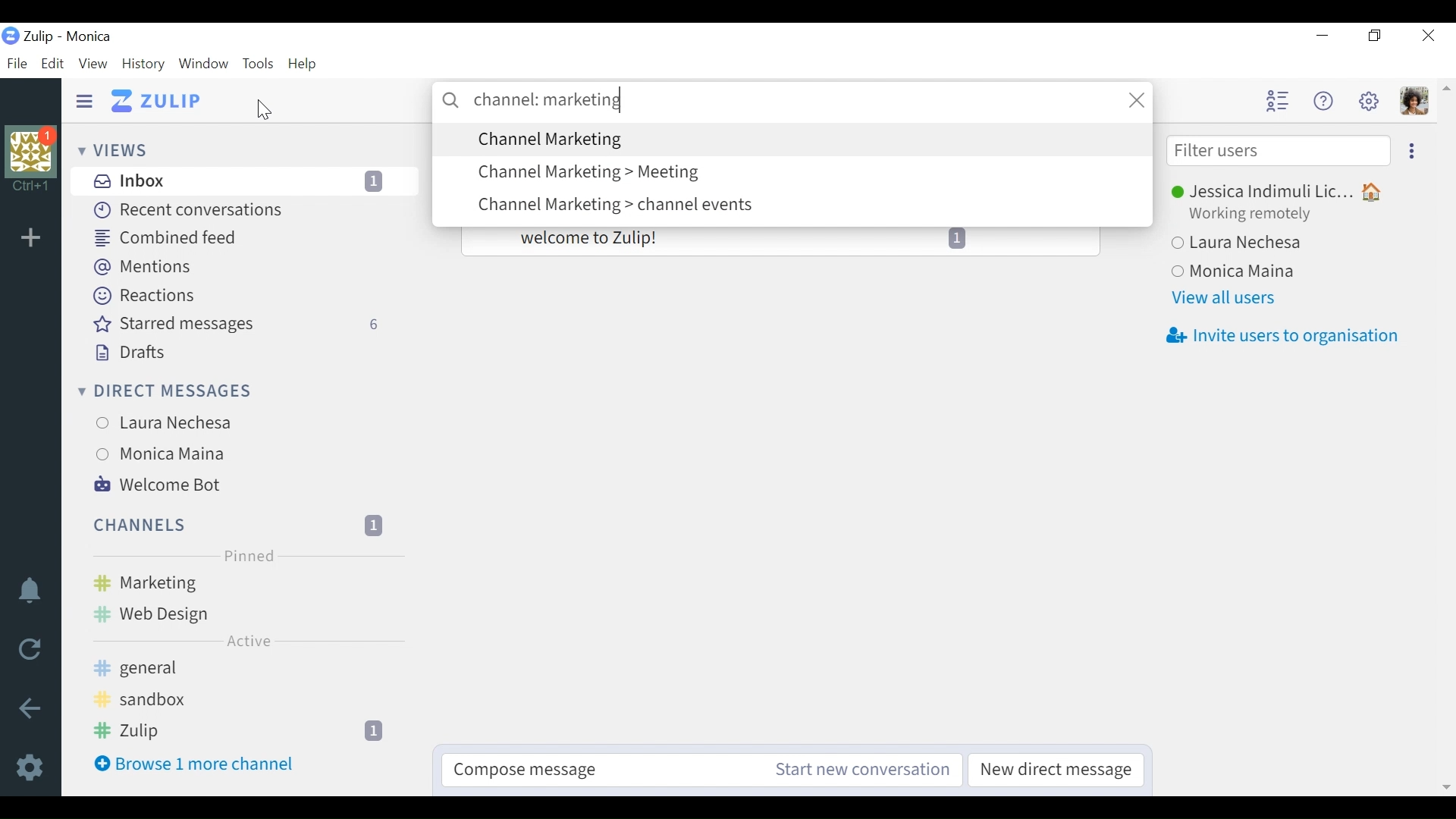 Image resolution: width=1456 pixels, height=819 pixels. I want to click on Views dropdown, so click(116, 151).